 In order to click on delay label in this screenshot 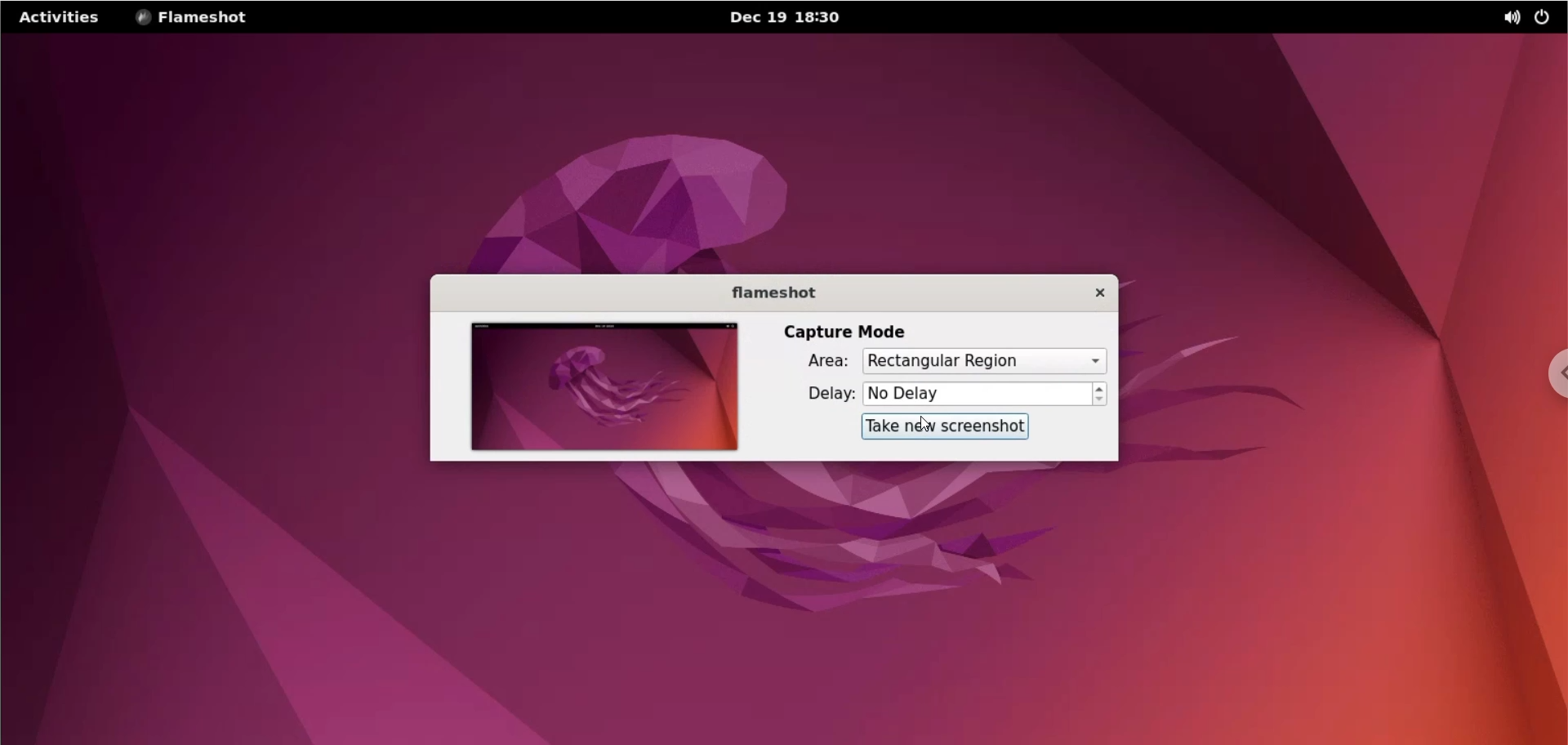, I will do `click(821, 395)`.